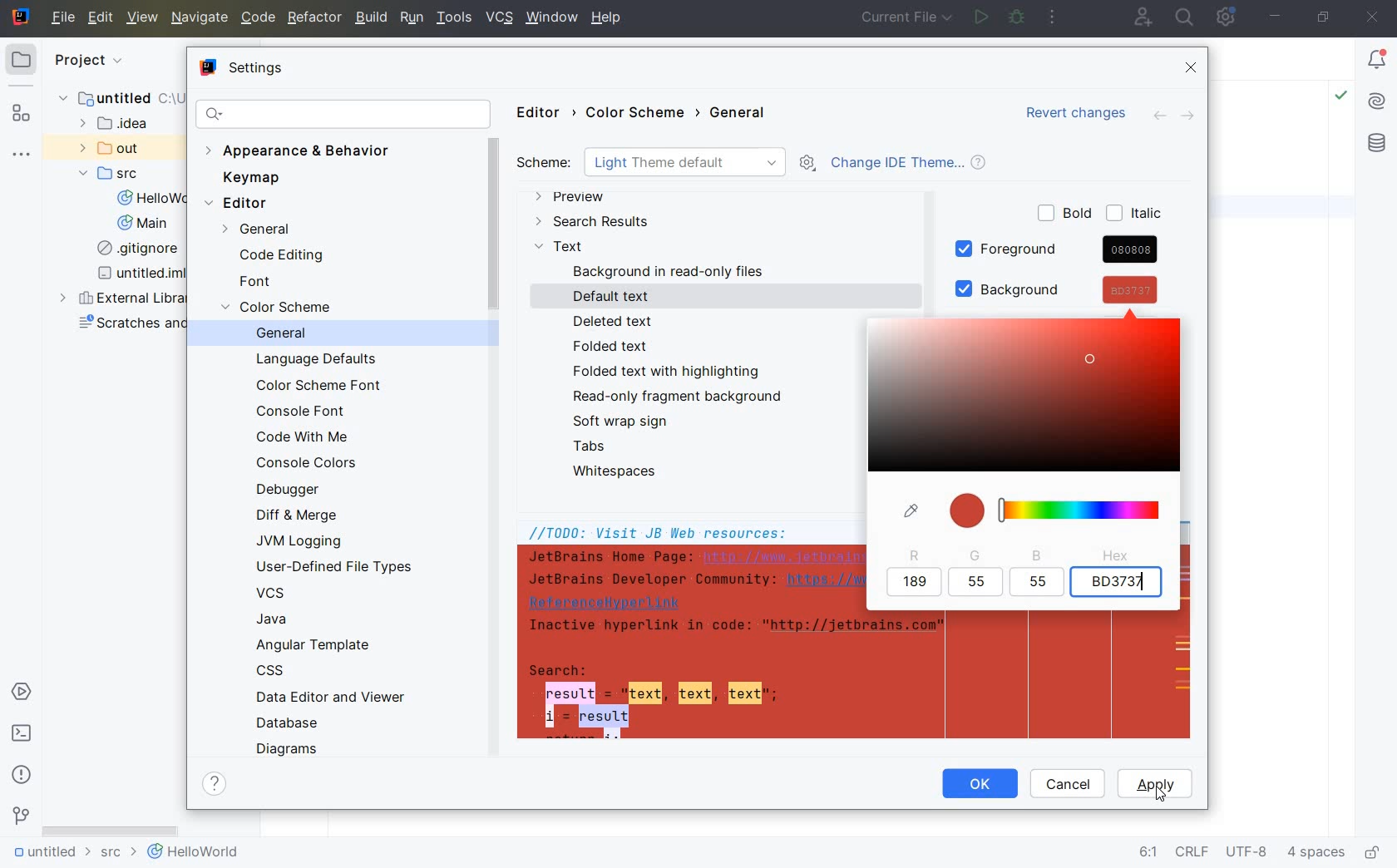  Describe the element at coordinates (310, 464) in the screenshot. I see `CONSOLE COLORS` at that location.